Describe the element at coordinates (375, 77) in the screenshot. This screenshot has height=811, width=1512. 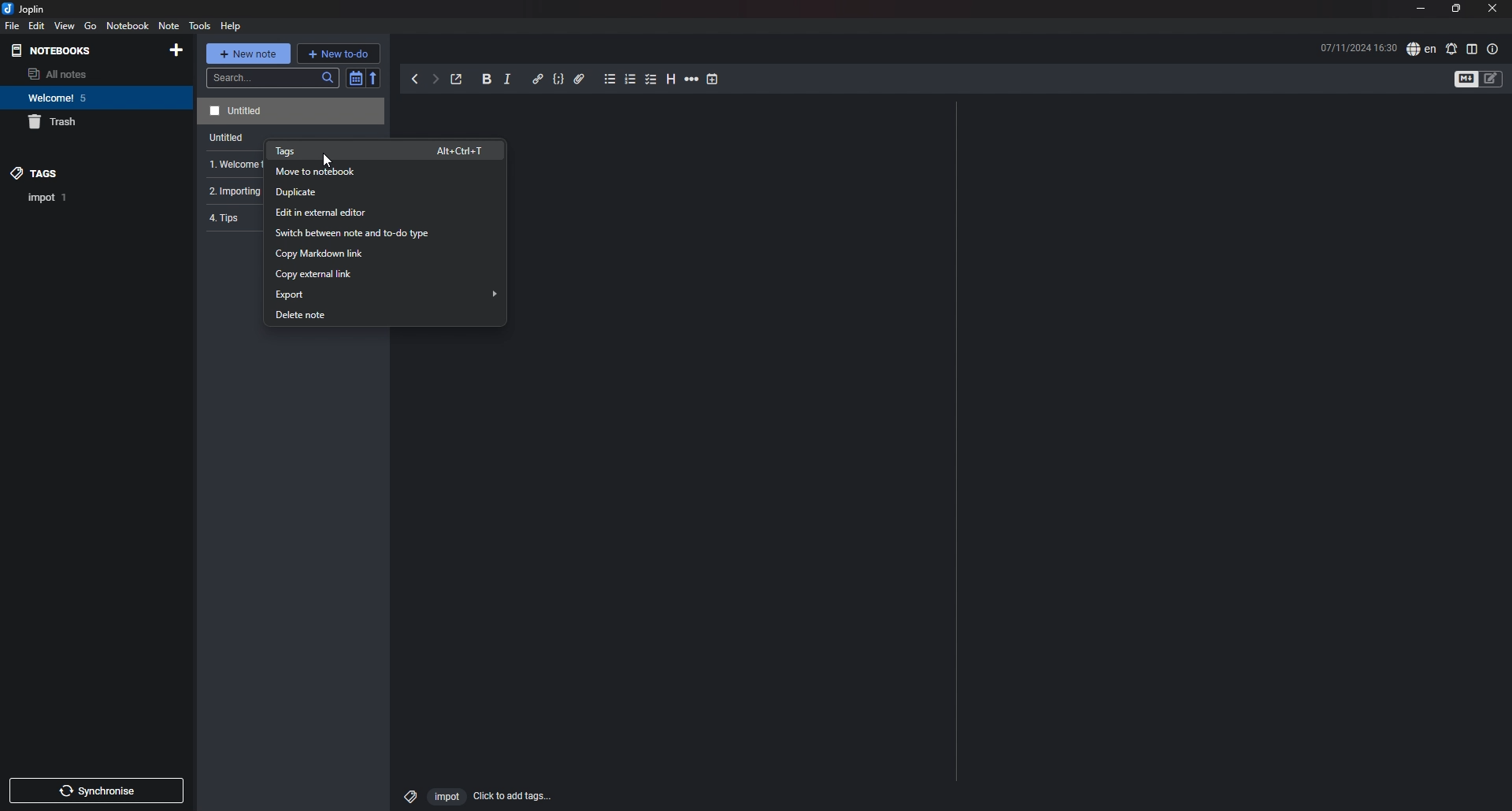
I see `reverse sort order` at that location.